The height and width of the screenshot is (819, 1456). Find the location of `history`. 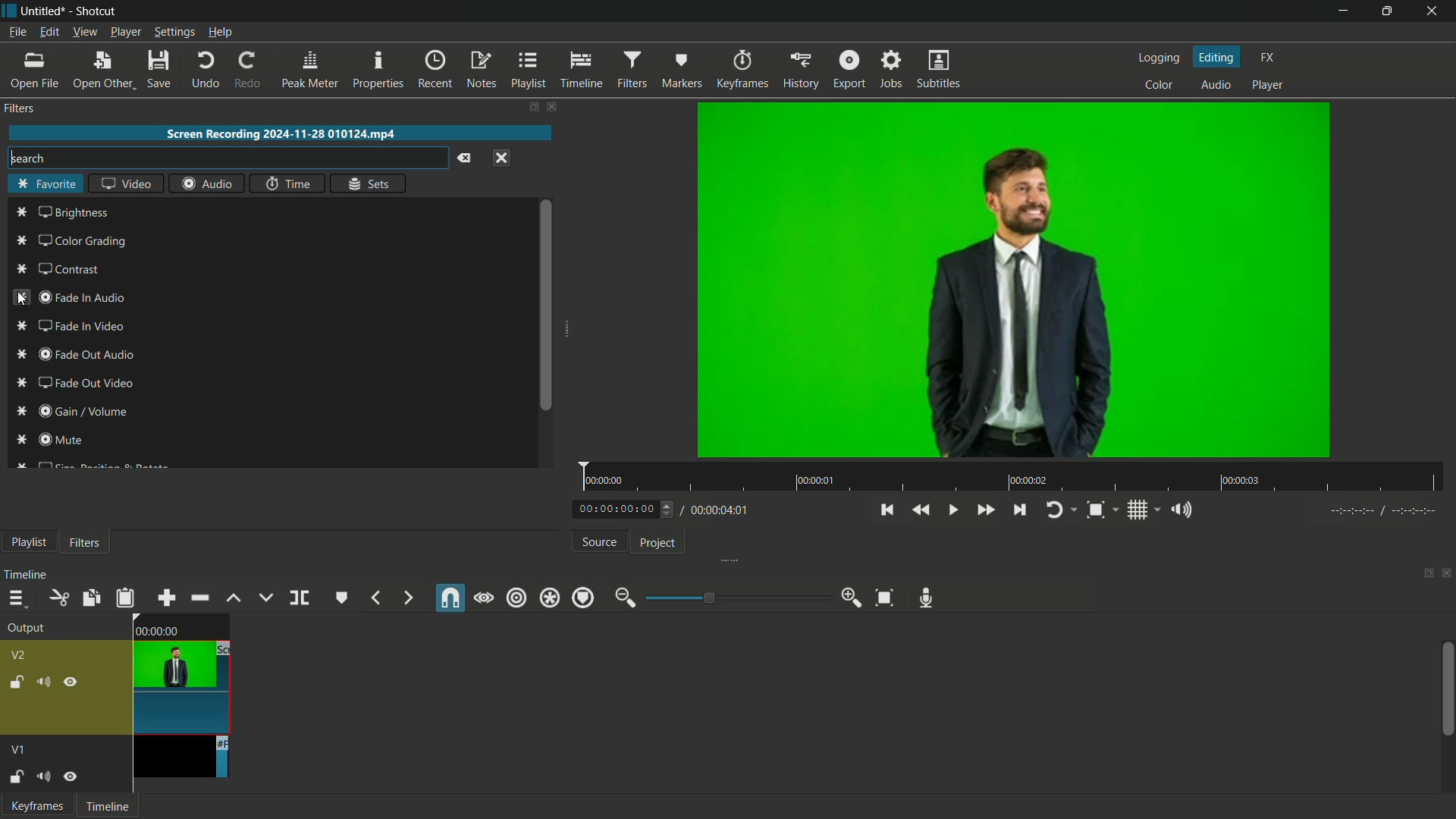

history is located at coordinates (798, 71).